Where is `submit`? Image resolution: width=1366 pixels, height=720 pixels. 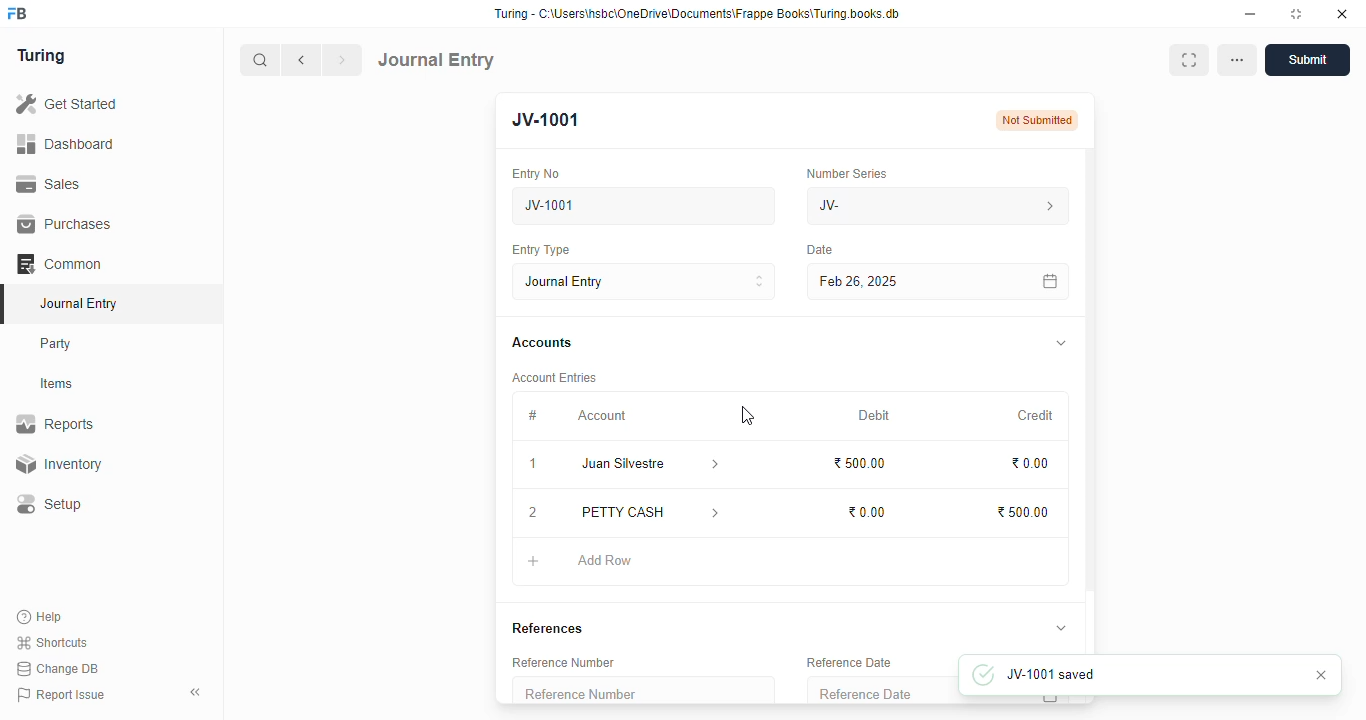 submit is located at coordinates (1307, 60).